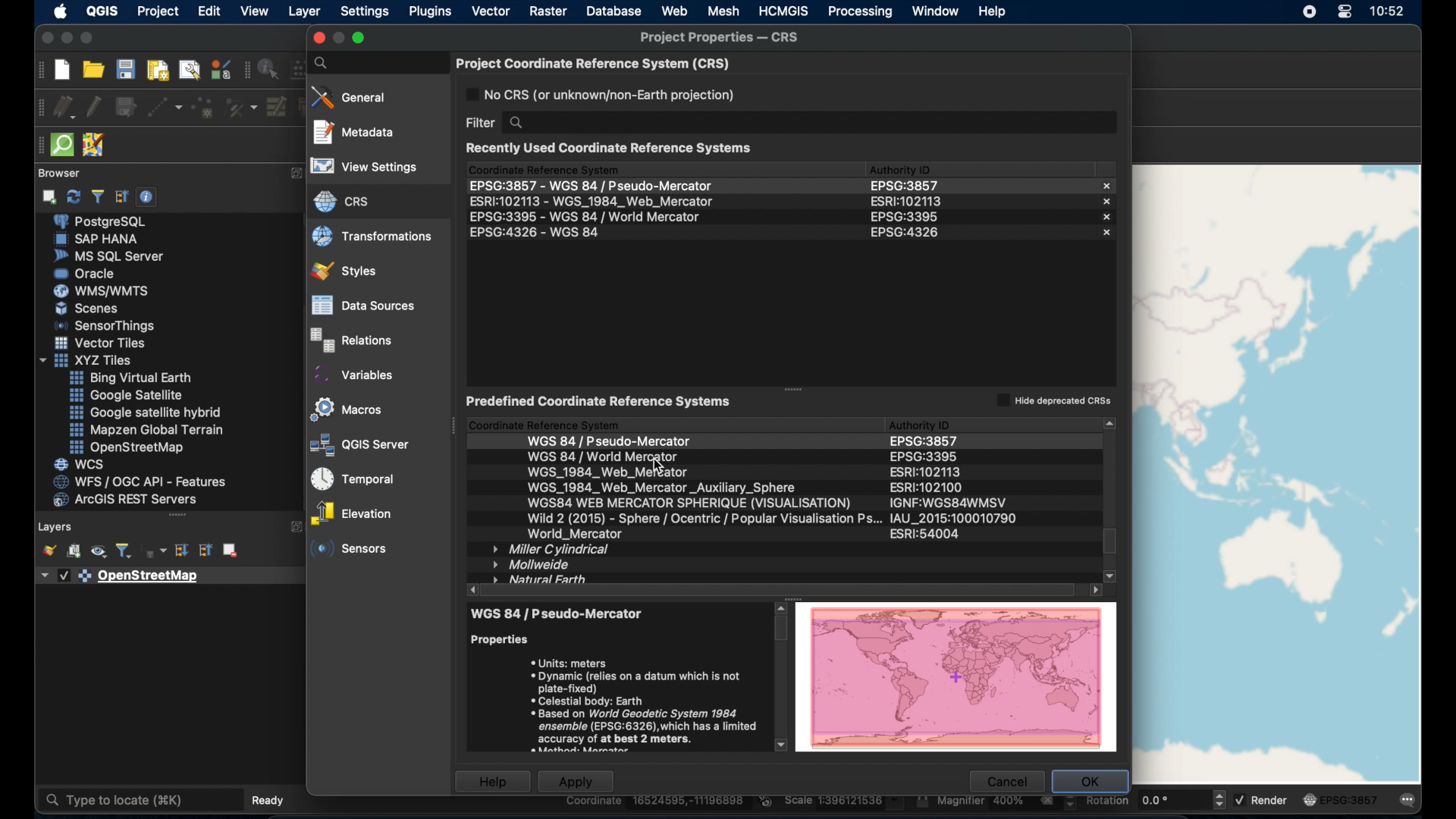 The height and width of the screenshot is (819, 1456). Describe the element at coordinates (97, 240) in the screenshot. I see `sap hana` at that location.